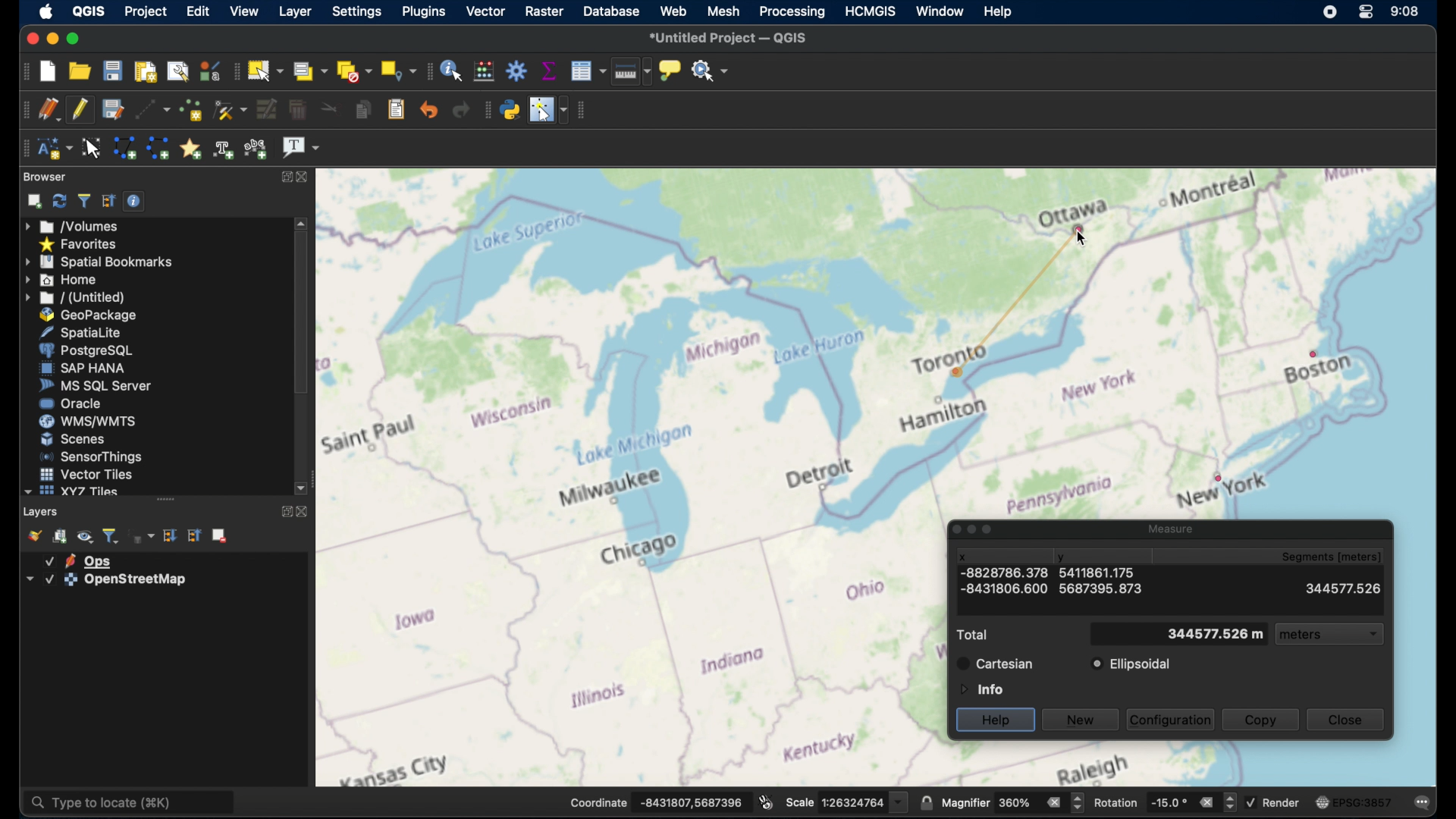 The image size is (1456, 819). Describe the element at coordinates (326, 108) in the screenshot. I see `cut features` at that location.